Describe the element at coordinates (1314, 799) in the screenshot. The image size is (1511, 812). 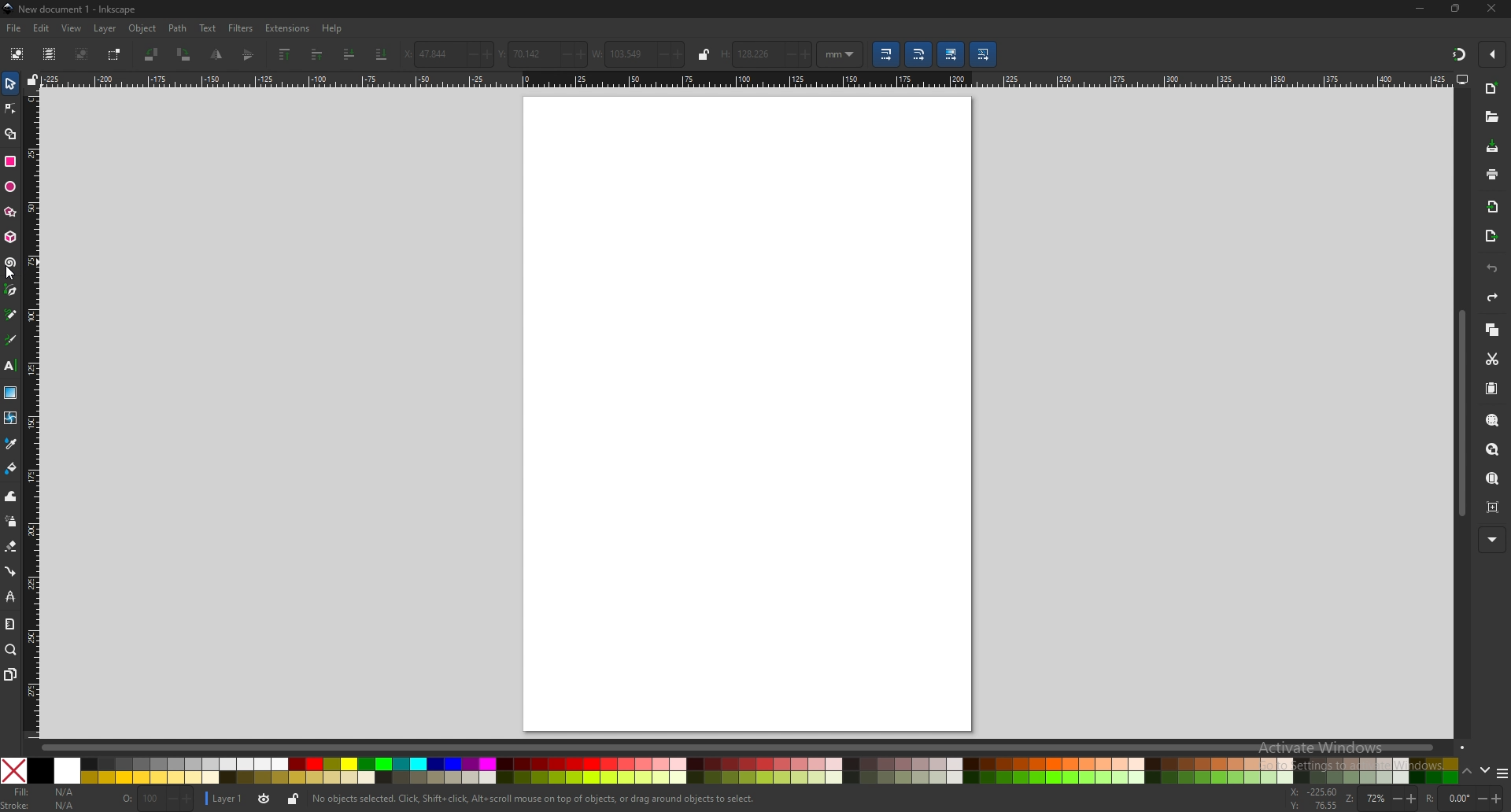
I see `X: -225.60    Y: 76.55` at that location.